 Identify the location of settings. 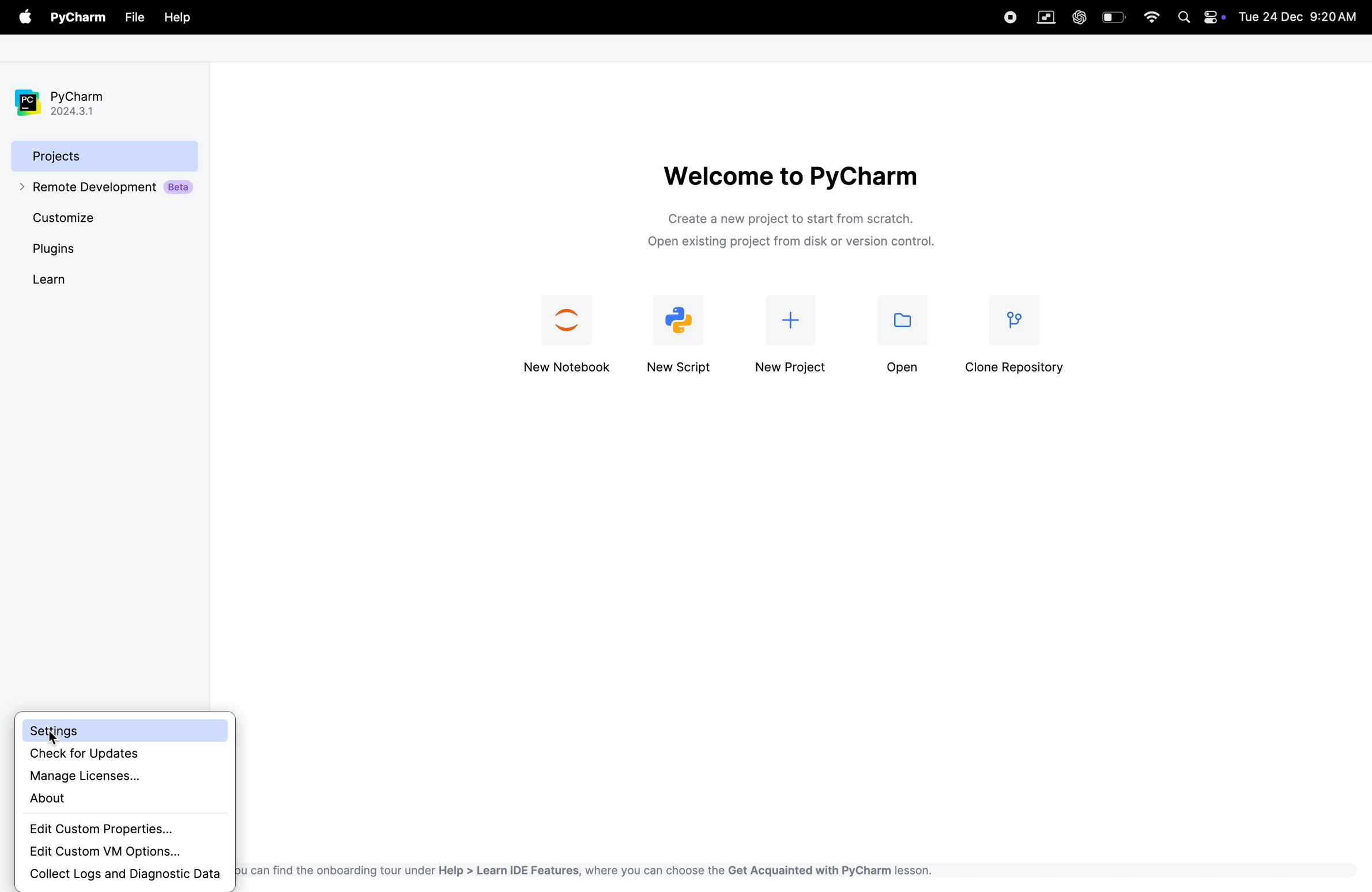
(123, 731).